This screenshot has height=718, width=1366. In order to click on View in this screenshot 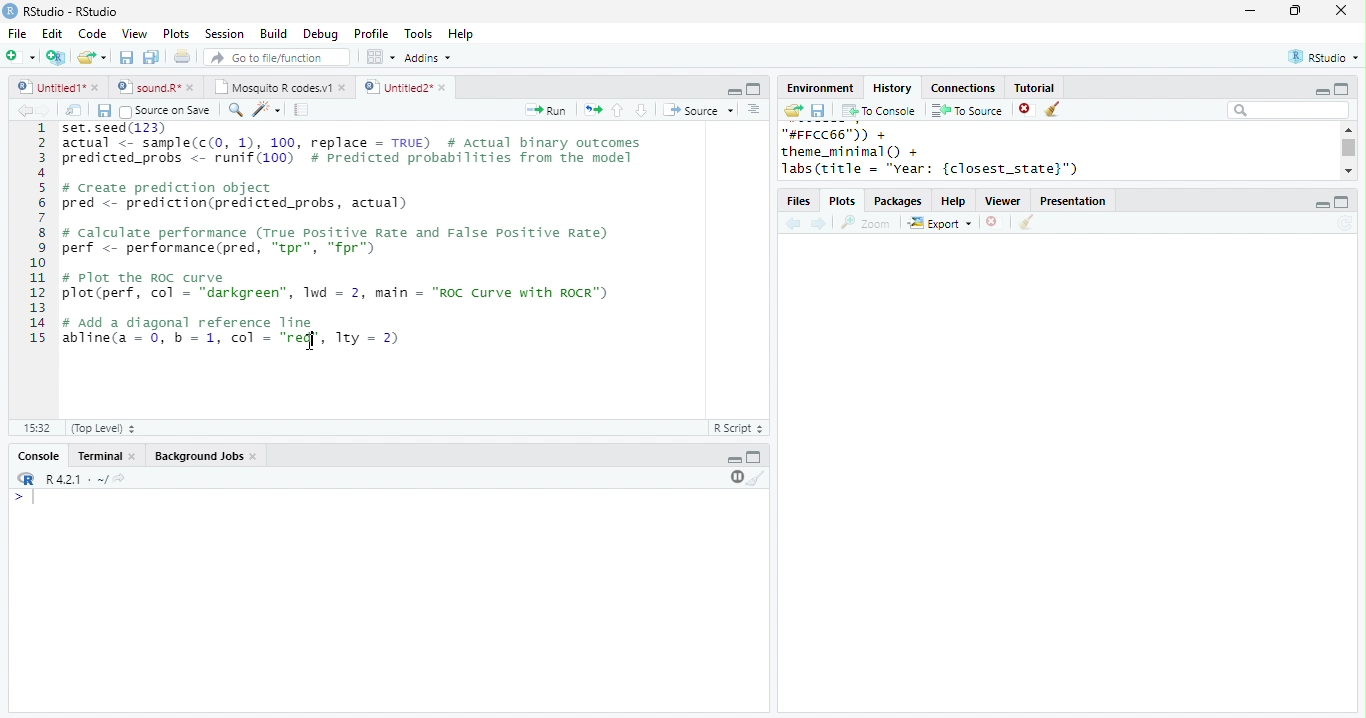, I will do `click(134, 34)`.